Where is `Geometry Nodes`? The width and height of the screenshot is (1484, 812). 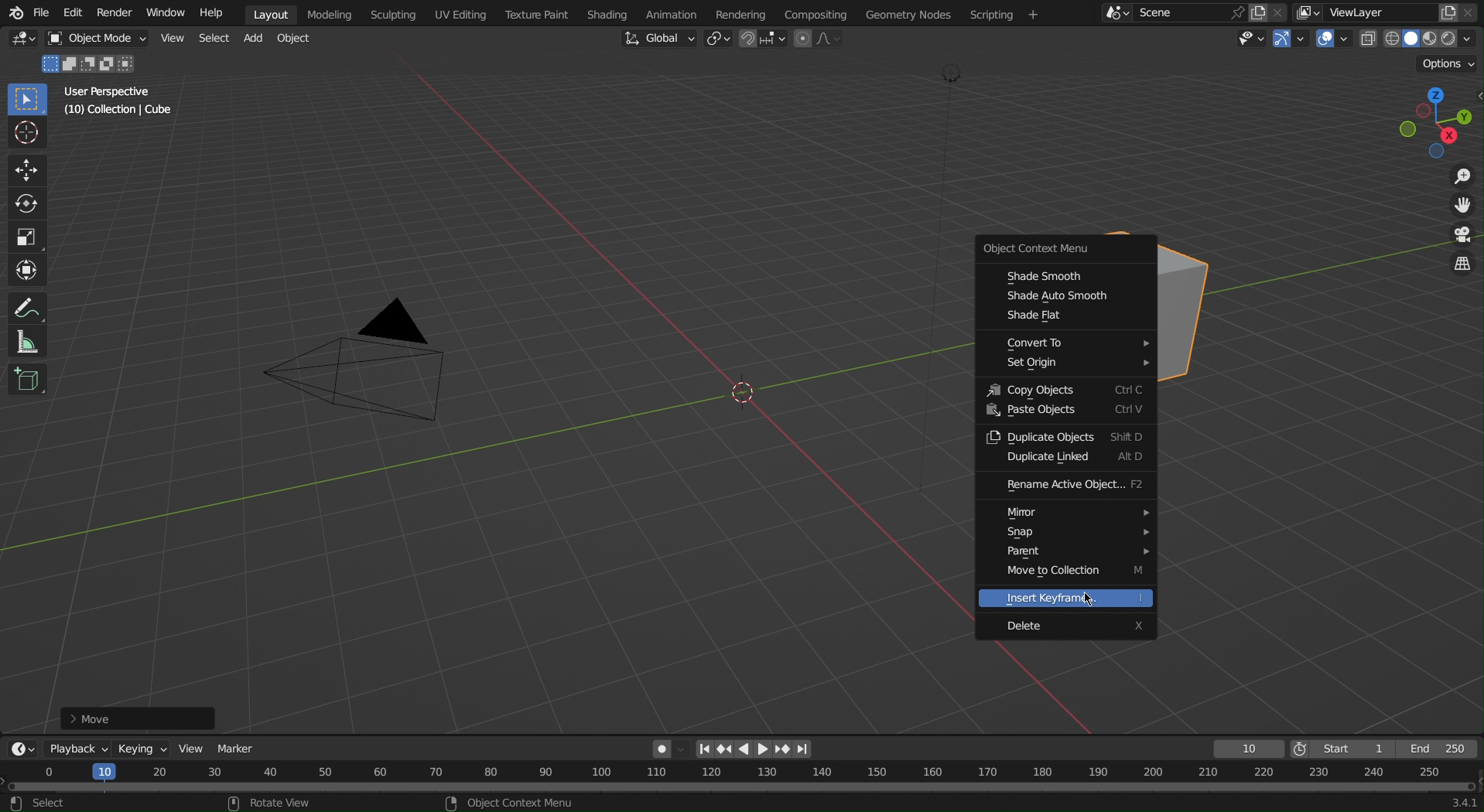
Geometry Nodes is located at coordinates (918, 13).